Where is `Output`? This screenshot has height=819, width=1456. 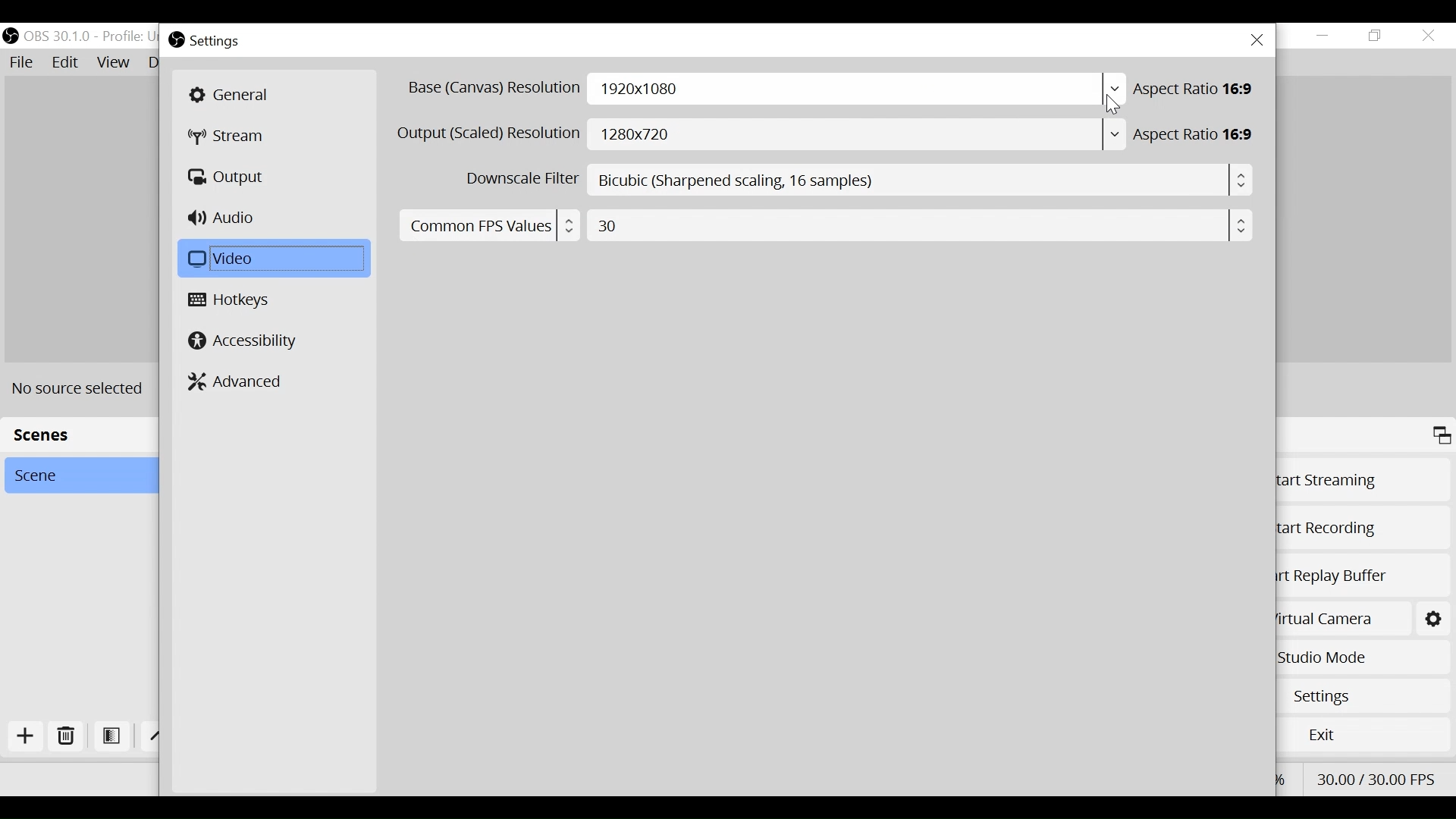
Output is located at coordinates (229, 177).